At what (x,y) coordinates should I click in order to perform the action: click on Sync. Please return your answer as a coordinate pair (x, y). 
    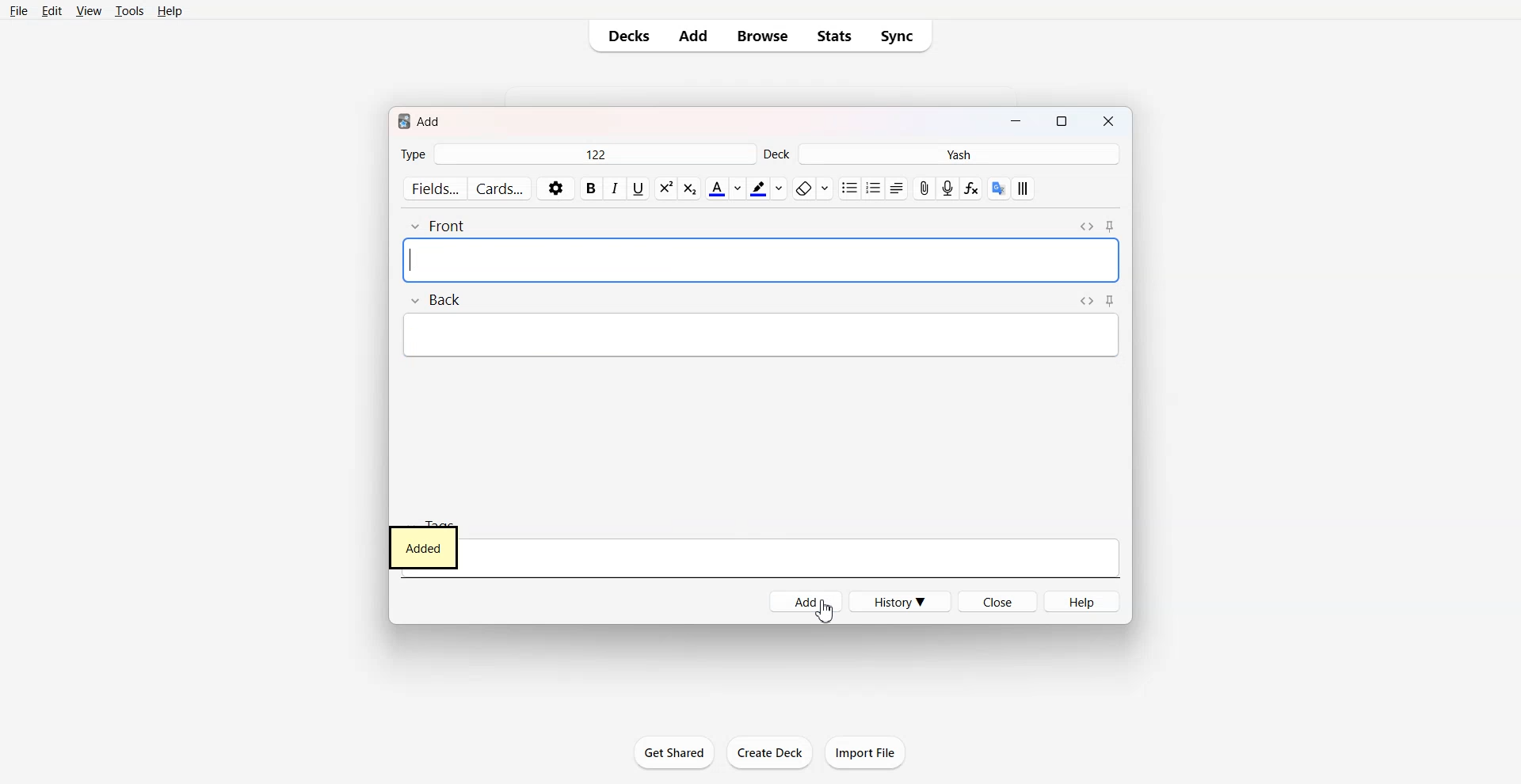
    Looking at the image, I should click on (902, 36).